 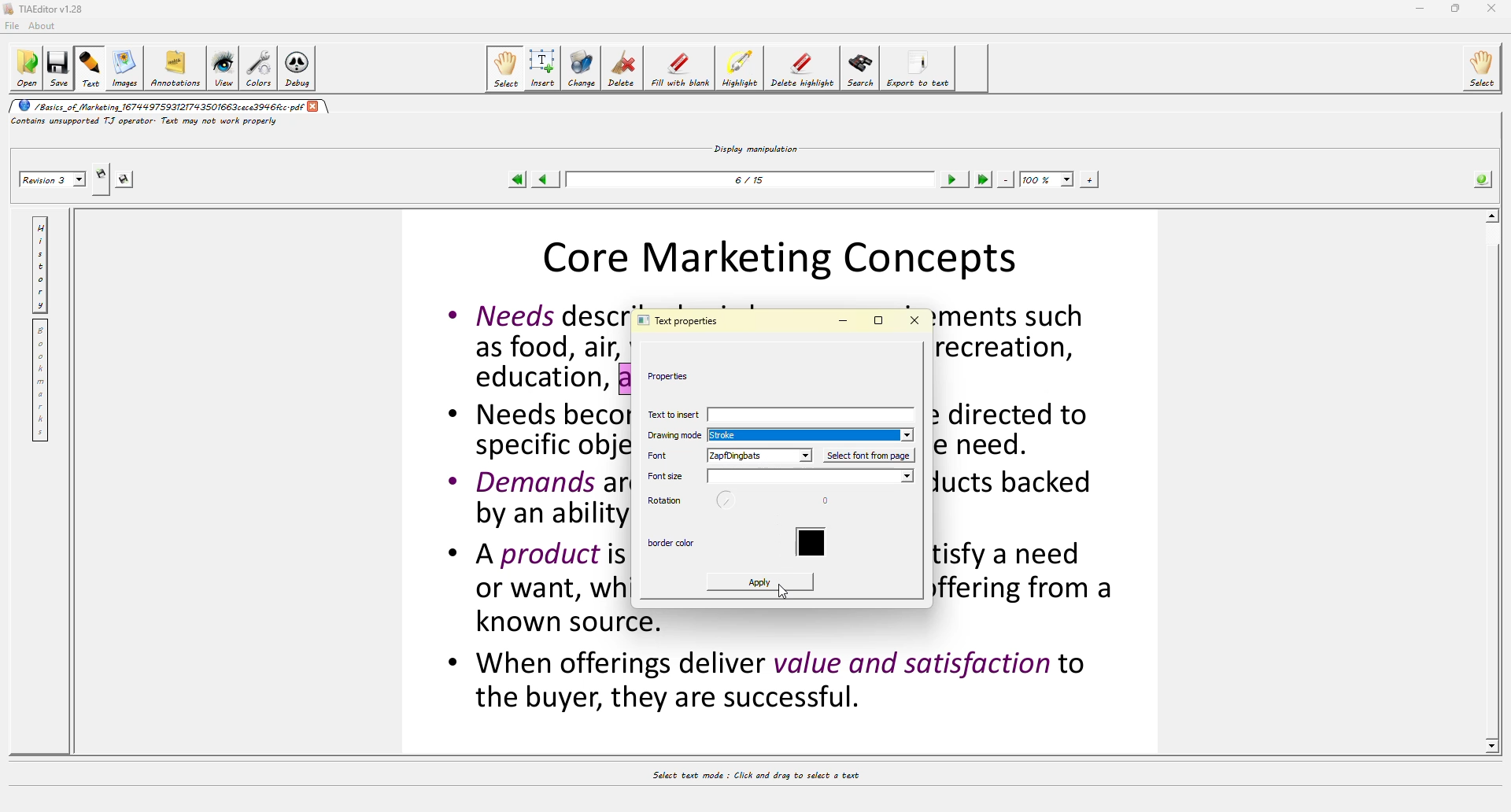 What do you see at coordinates (1088, 180) in the screenshot?
I see `zoom in` at bounding box center [1088, 180].